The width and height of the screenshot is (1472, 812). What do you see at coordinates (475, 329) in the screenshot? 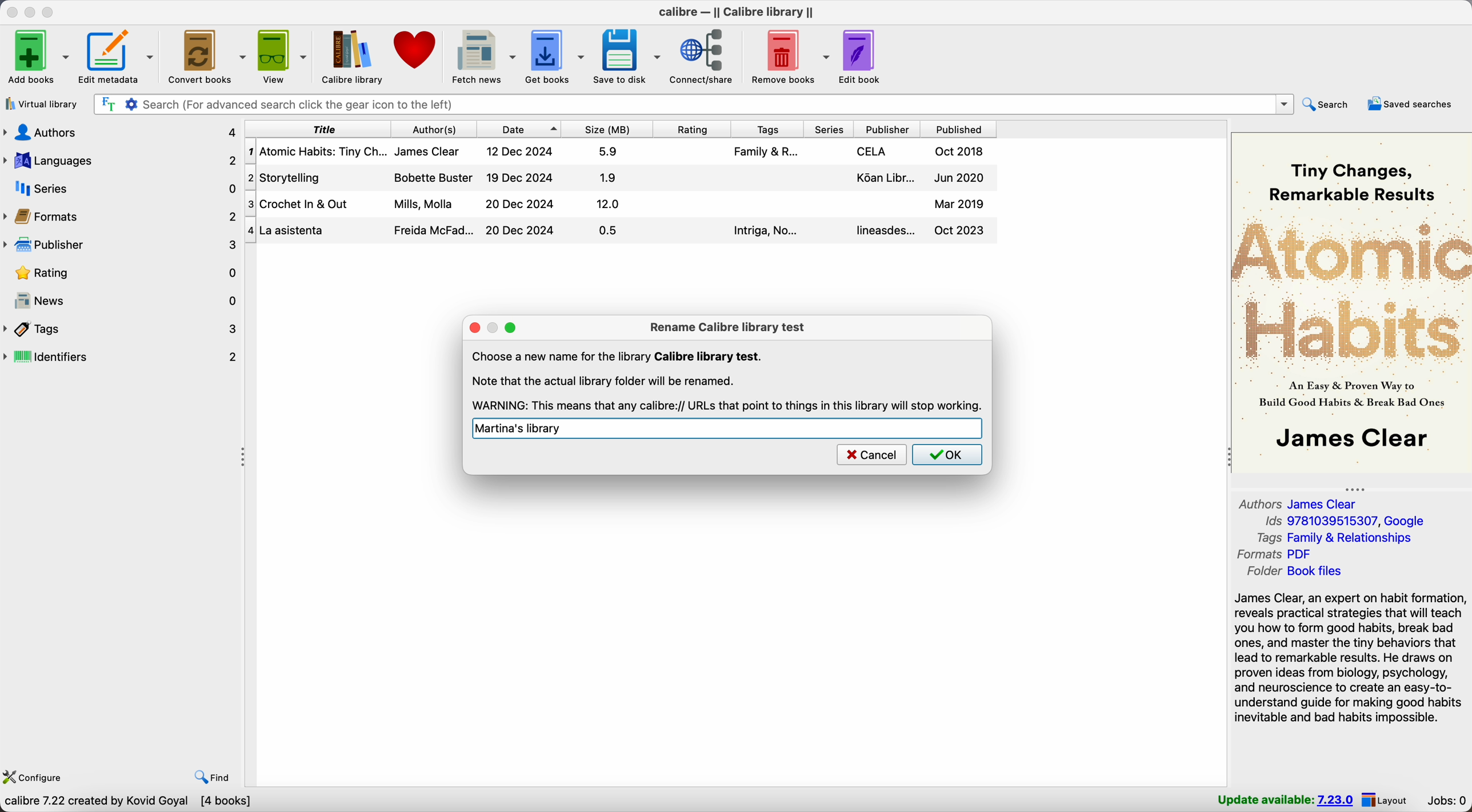
I see `close popup` at bounding box center [475, 329].